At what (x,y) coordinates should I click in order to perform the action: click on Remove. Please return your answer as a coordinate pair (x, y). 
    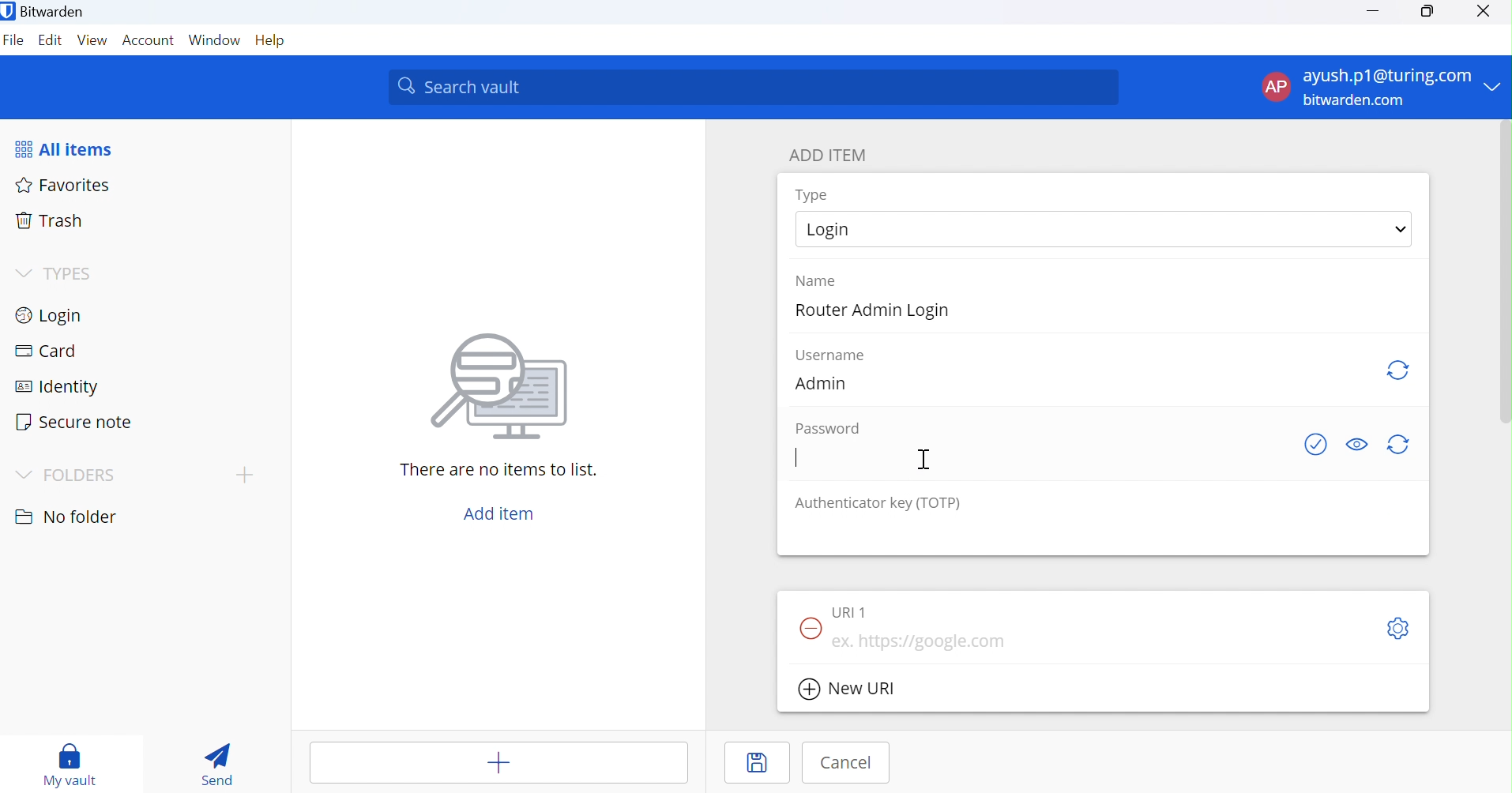
    Looking at the image, I should click on (810, 630).